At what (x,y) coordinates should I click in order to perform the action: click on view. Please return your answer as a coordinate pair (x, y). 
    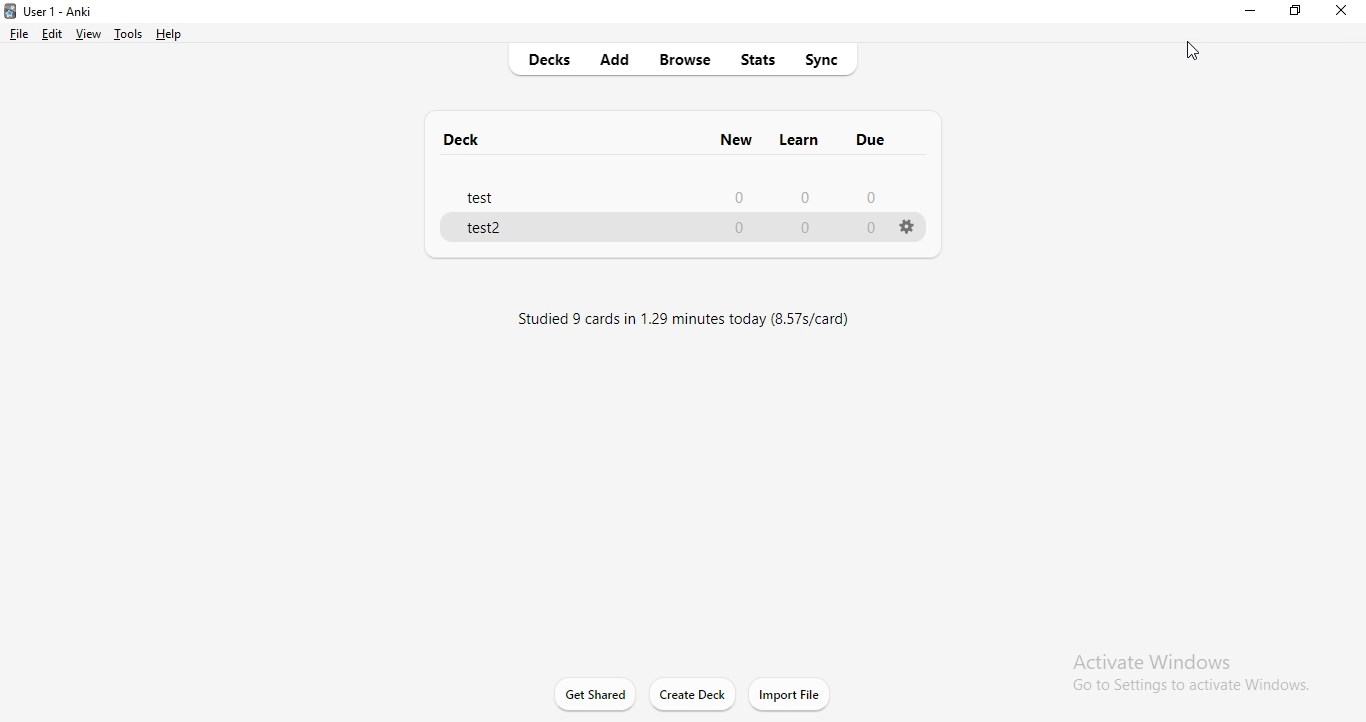
    Looking at the image, I should click on (89, 34).